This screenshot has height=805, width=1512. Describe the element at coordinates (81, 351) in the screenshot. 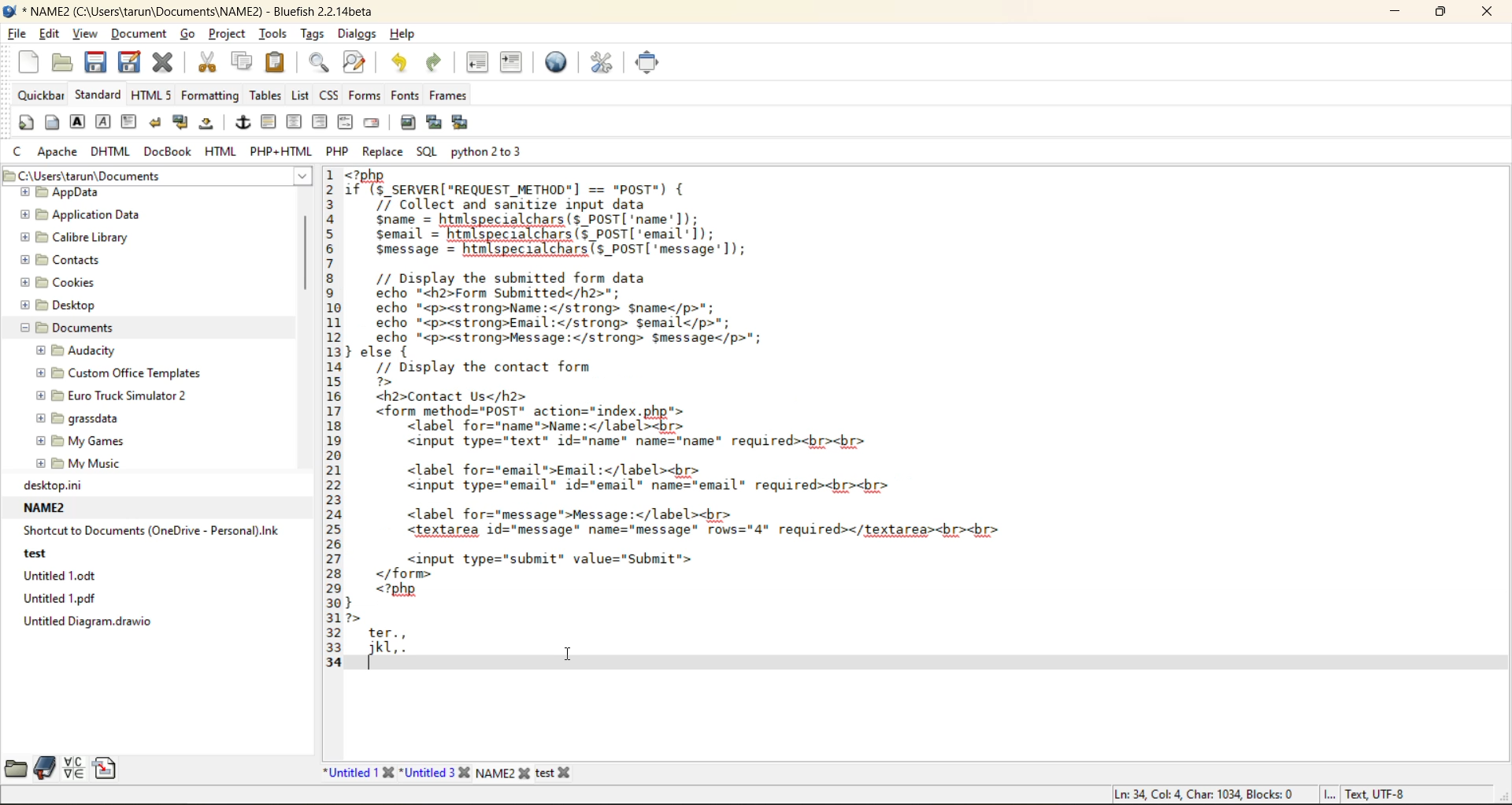

I see `Audacity` at that location.